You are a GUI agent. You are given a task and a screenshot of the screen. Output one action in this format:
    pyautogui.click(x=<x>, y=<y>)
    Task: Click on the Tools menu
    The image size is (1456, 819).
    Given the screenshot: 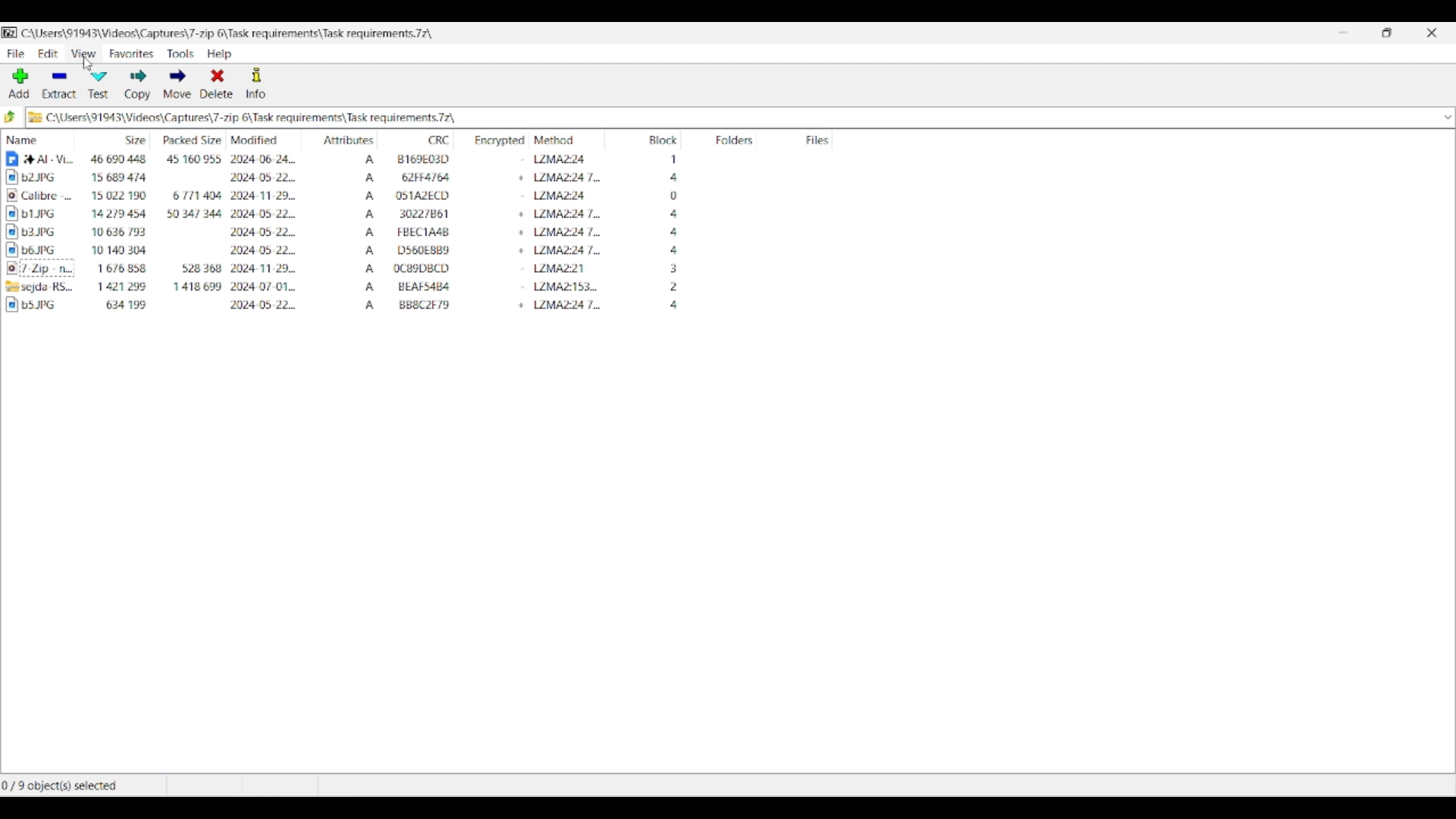 What is the action you would take?
    pyautogui.click(x=181, y=54)
    